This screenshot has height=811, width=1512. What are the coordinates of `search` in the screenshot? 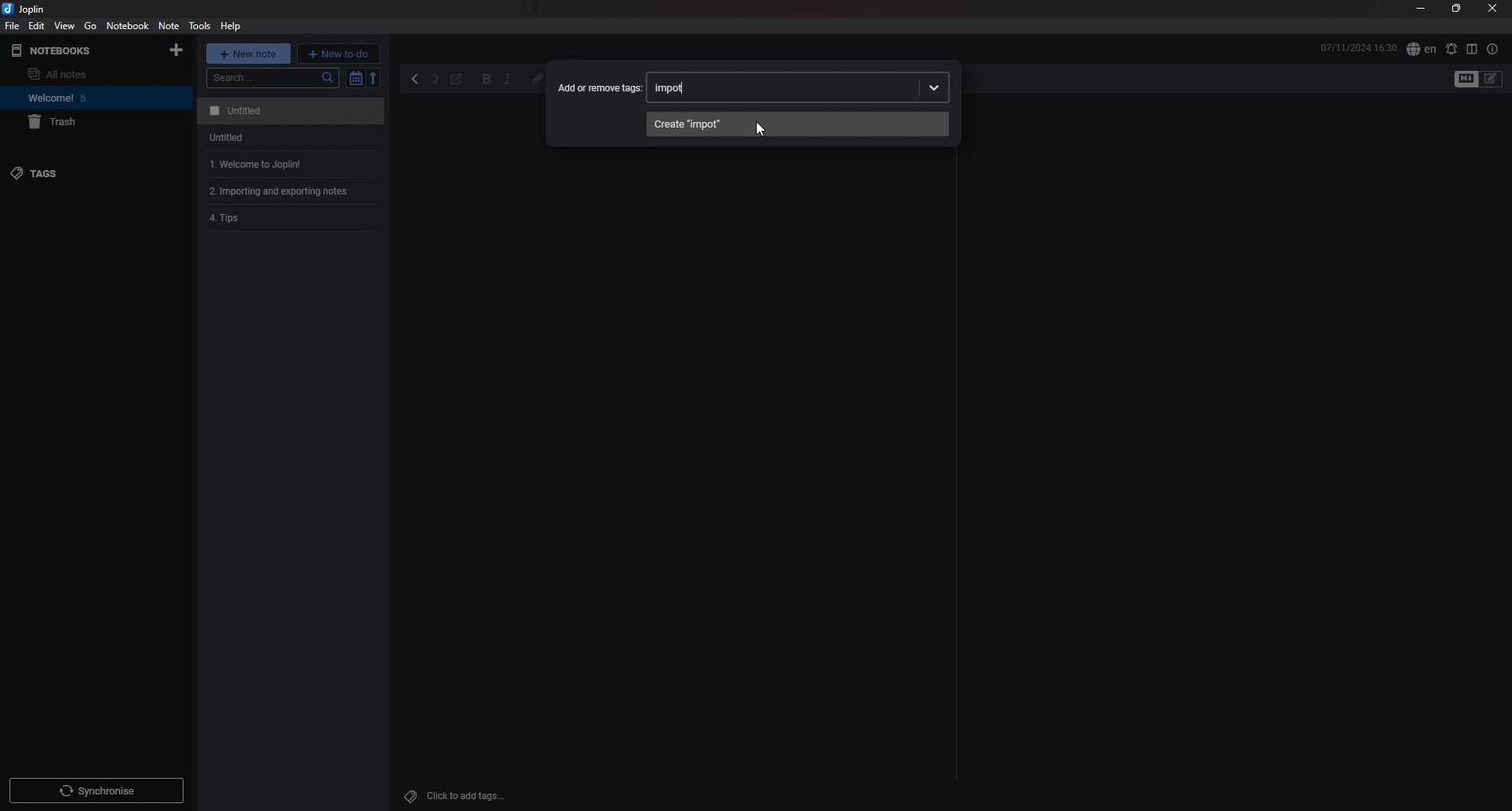 It's located at (273, 78).